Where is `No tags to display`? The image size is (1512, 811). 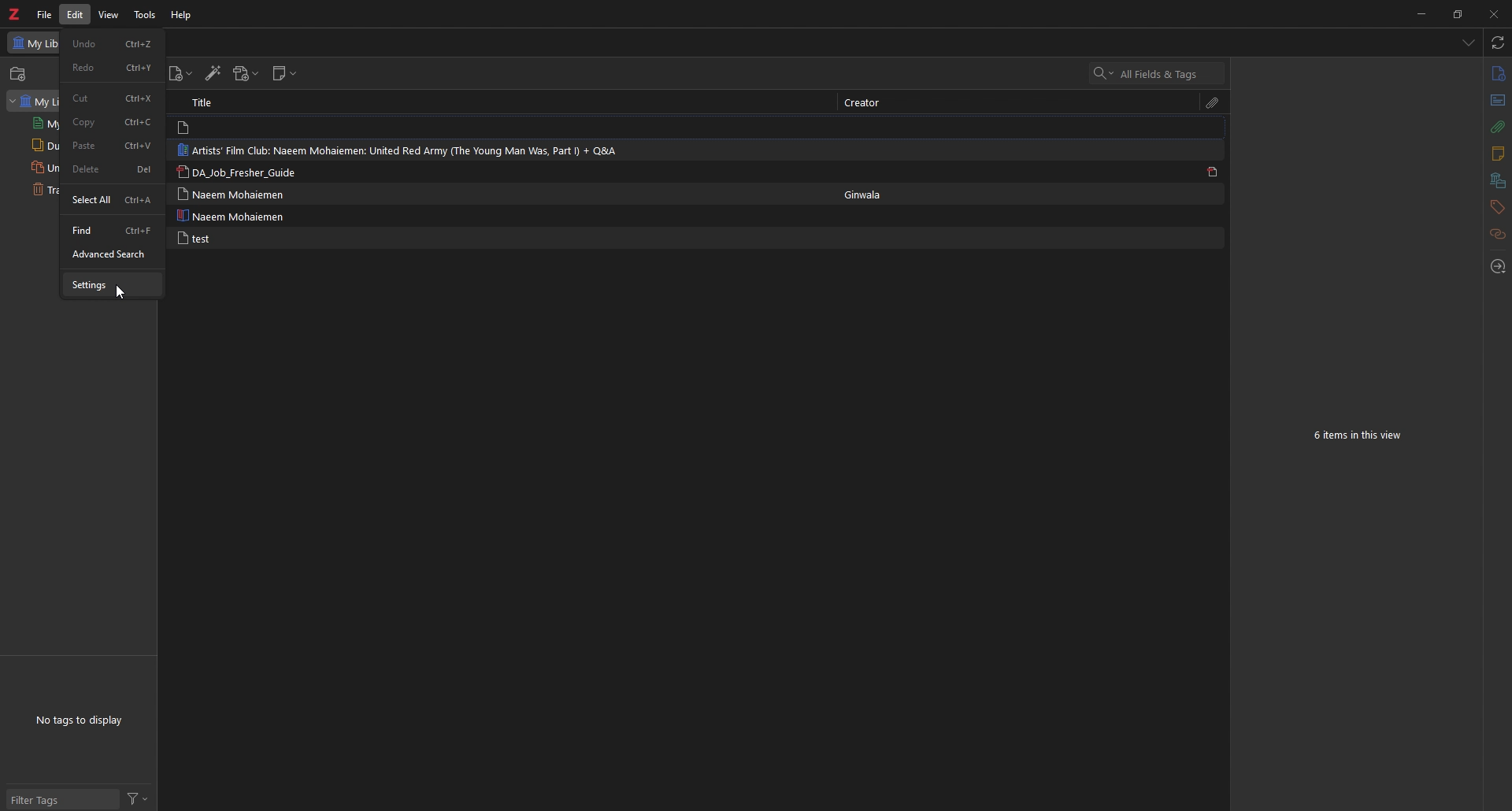
No tags to display is located at coordinates (81, 719).